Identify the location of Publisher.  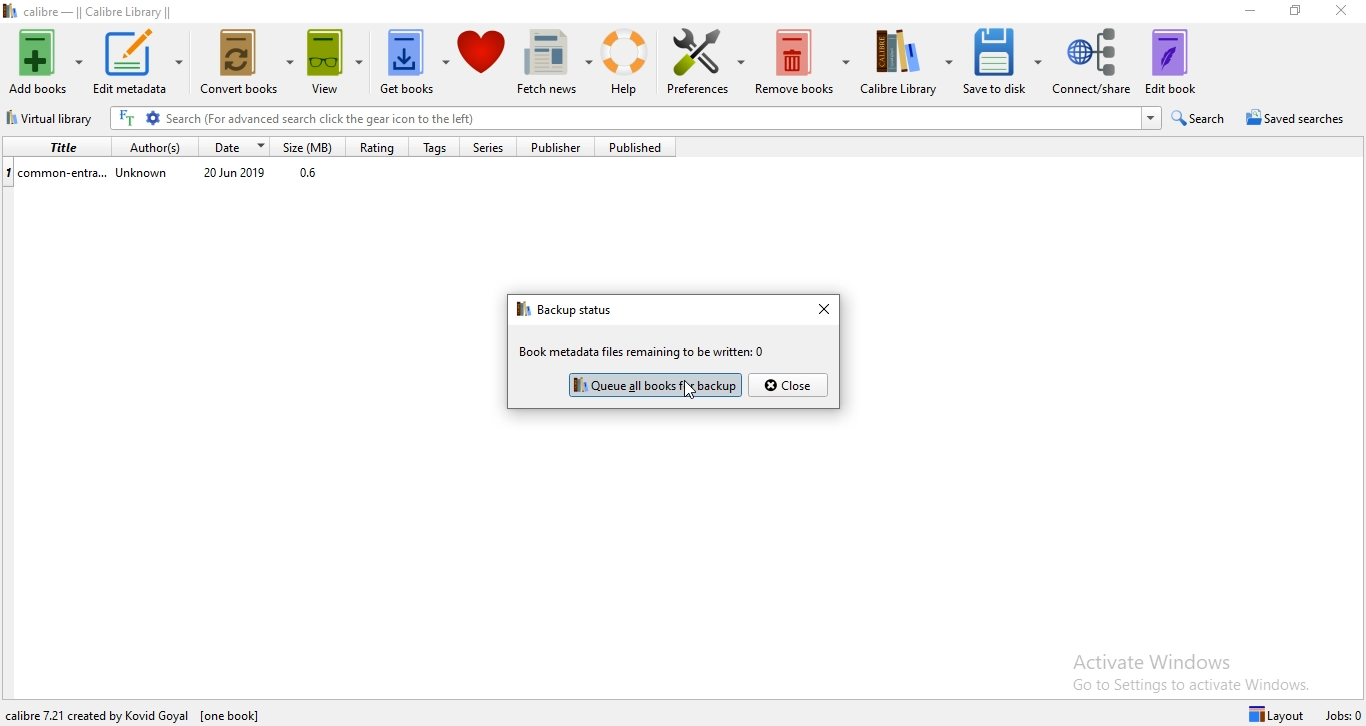
(563, 147).